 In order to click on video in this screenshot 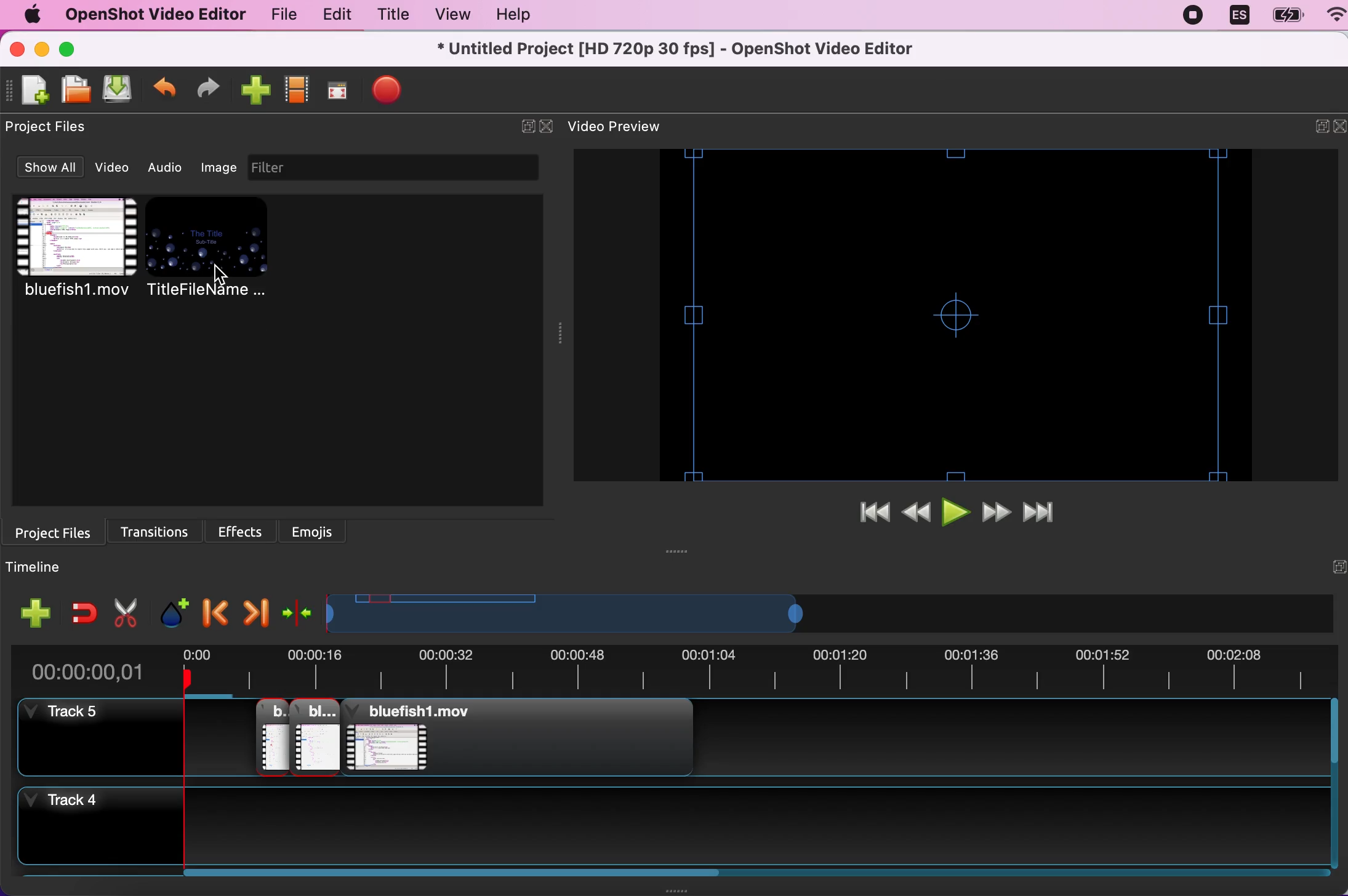, I will do `click(116, 167)`.